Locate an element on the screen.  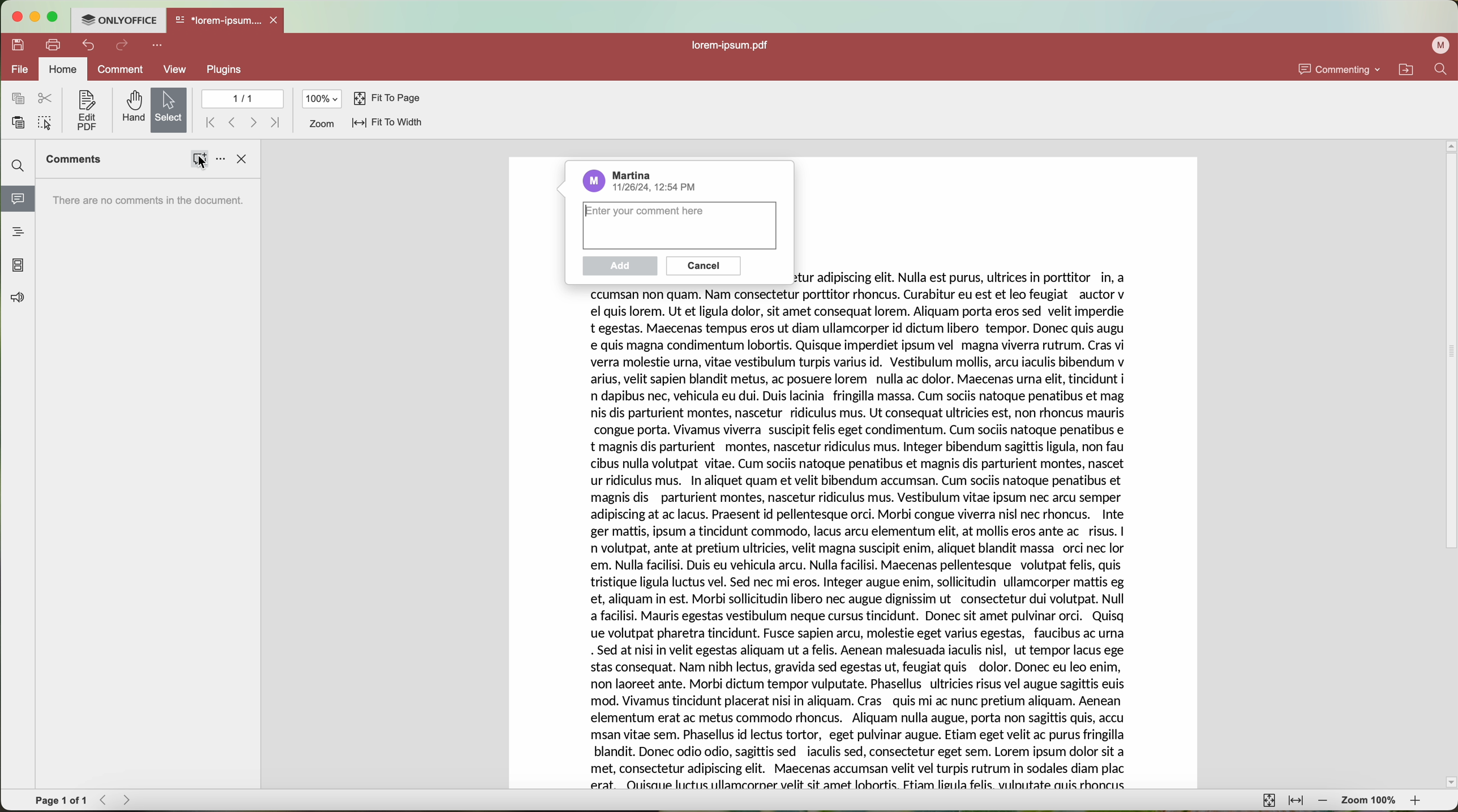
options is located at coordinates (220, 160).